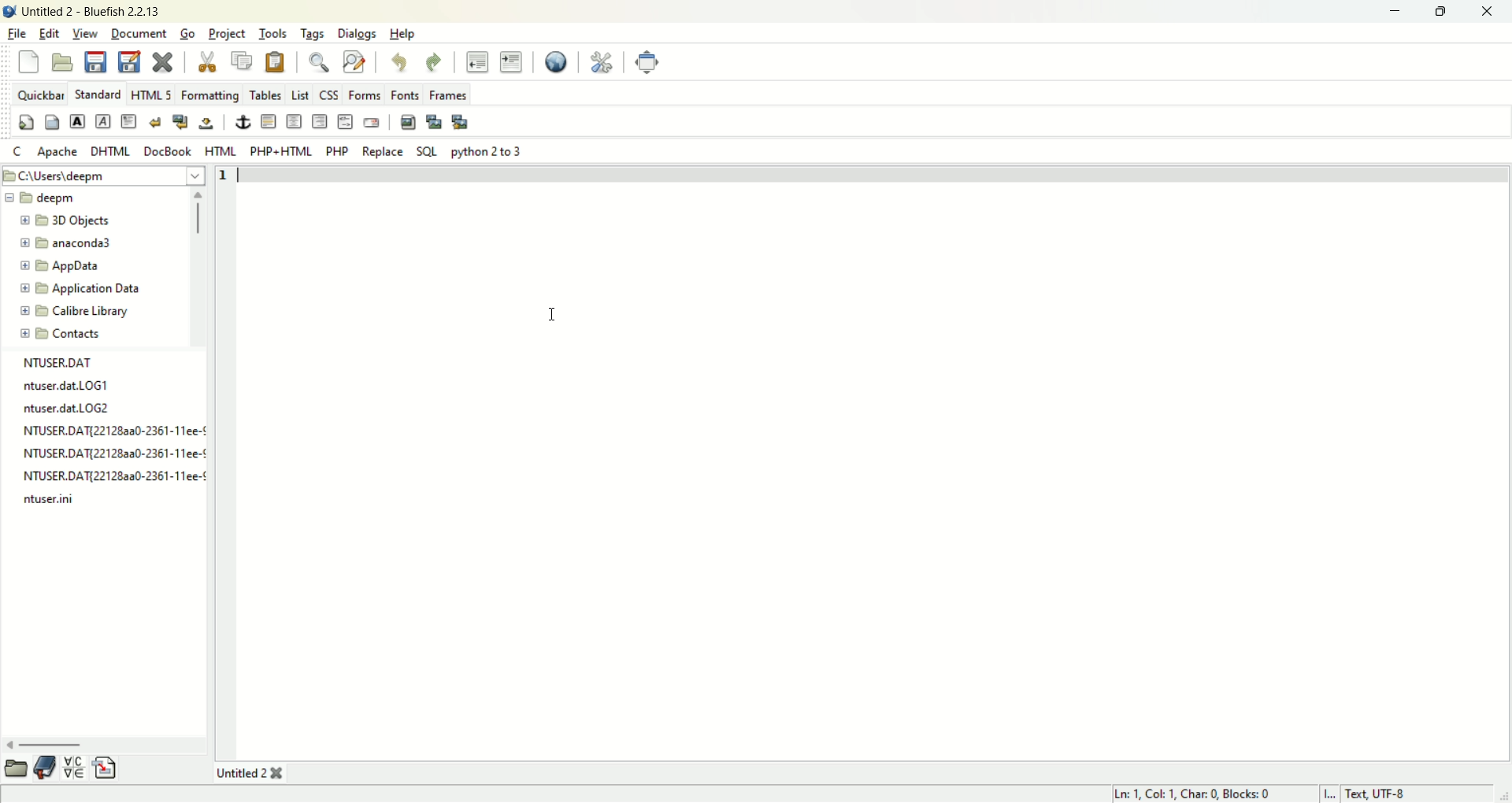 The height and width of the screenshot is (803, 1512). I want to click on break, so click(158, 122).